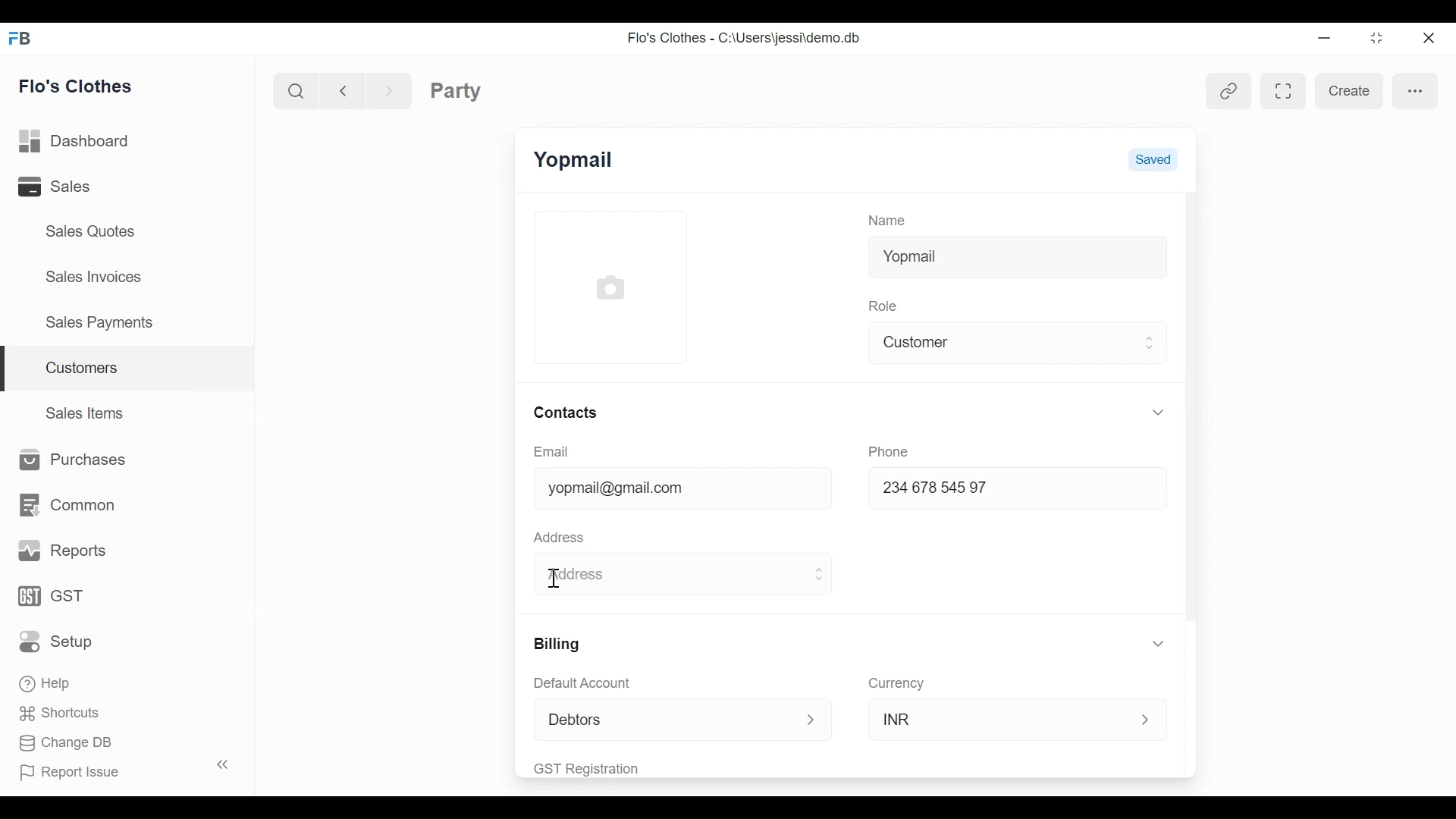 Image resolution: width=1456 pixels, height=819 pixels. I want to click on Profile Picture, so click(610, 288).